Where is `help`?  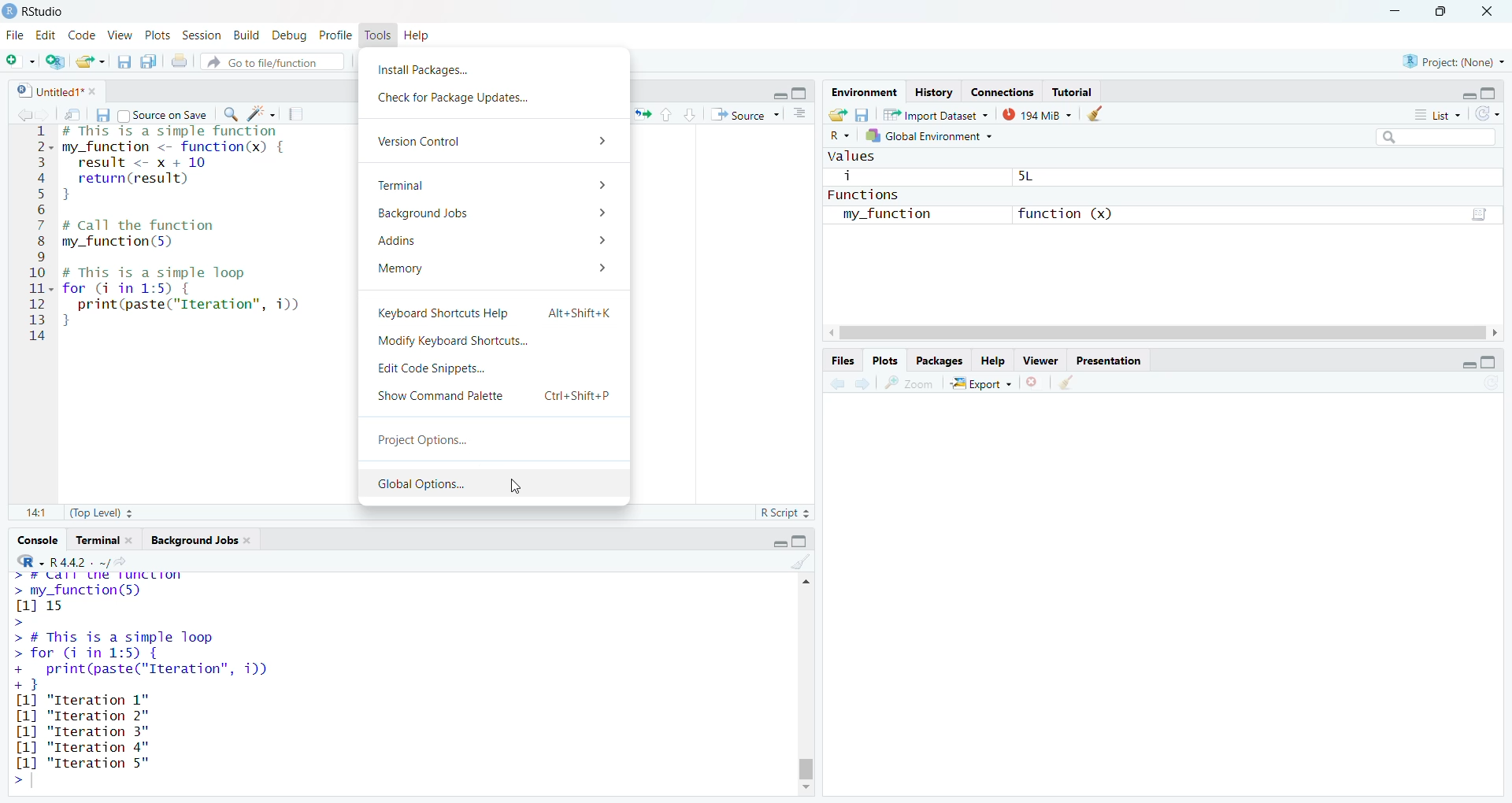 help is located at coordinates (992, 360).